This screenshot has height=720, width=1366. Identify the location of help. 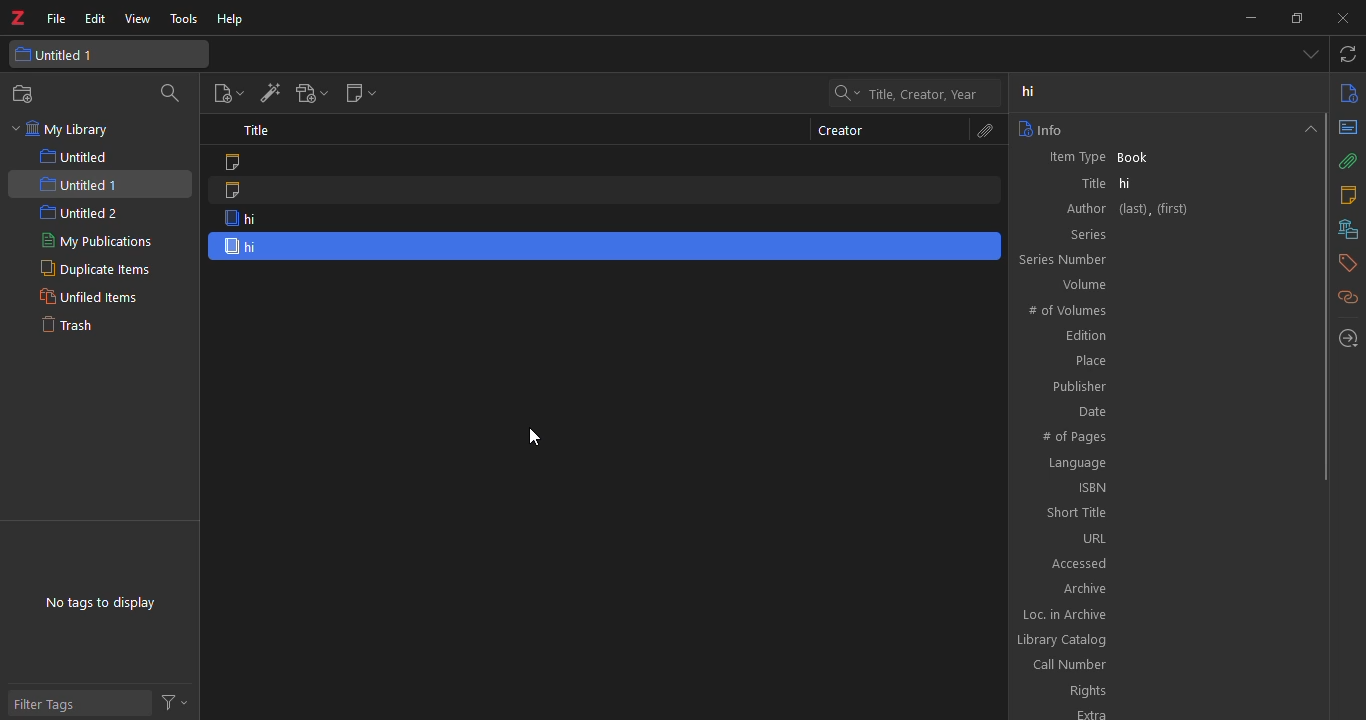
(233, 18).